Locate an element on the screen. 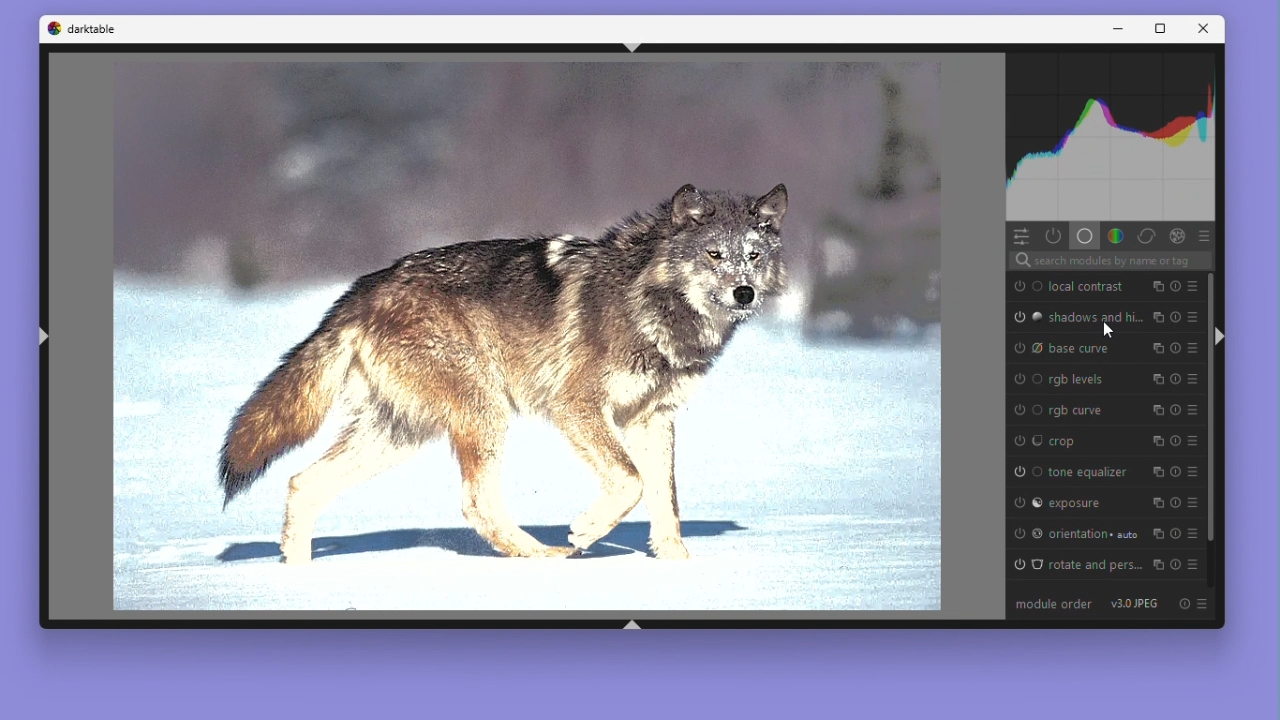 The width and height of the screenshot is (1280, 720). multiple instance actions is located at coordinates (1157, 472).